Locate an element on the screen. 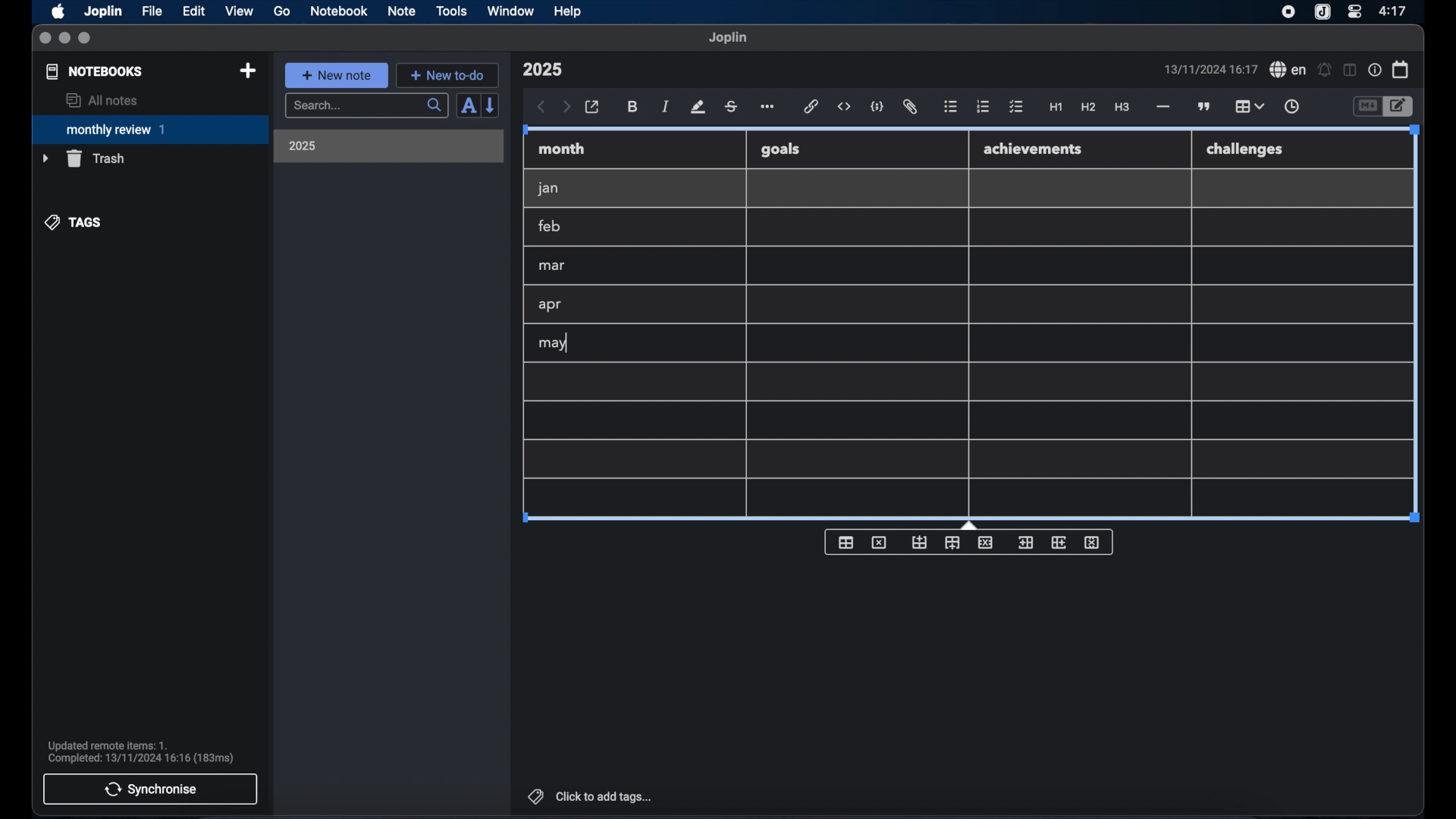 Image resolution: width=1456 pixels, height=819 pixels. hyperlink is located at coordinates (811, 106).